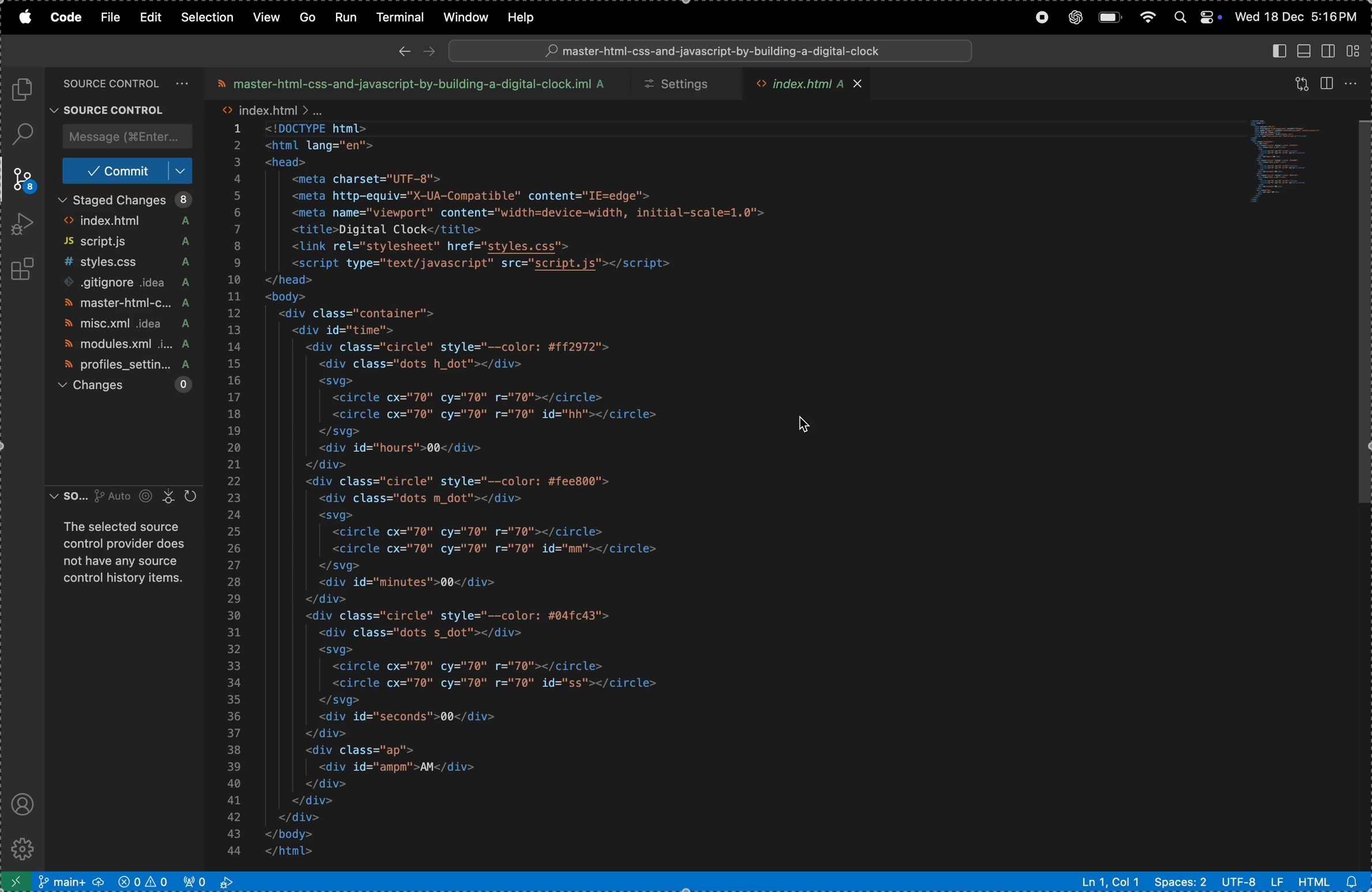 This screenshot has width=1372, height=892. What do you see at coordinates (415, 583) in the screenshot?
I see `<div id="minutes">00</div>` at bounding box center [415, 583].